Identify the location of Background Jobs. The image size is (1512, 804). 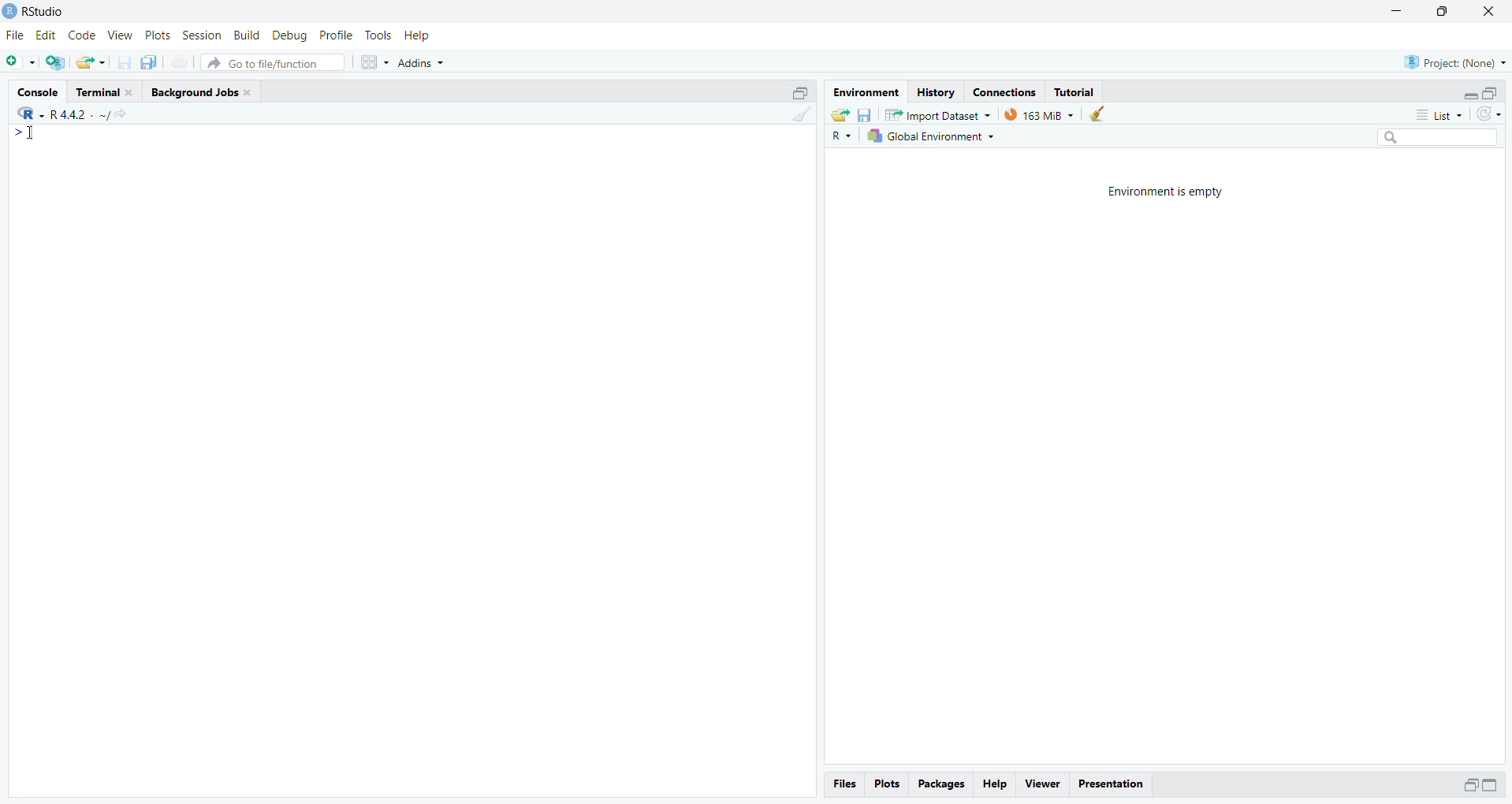
(193, 92).